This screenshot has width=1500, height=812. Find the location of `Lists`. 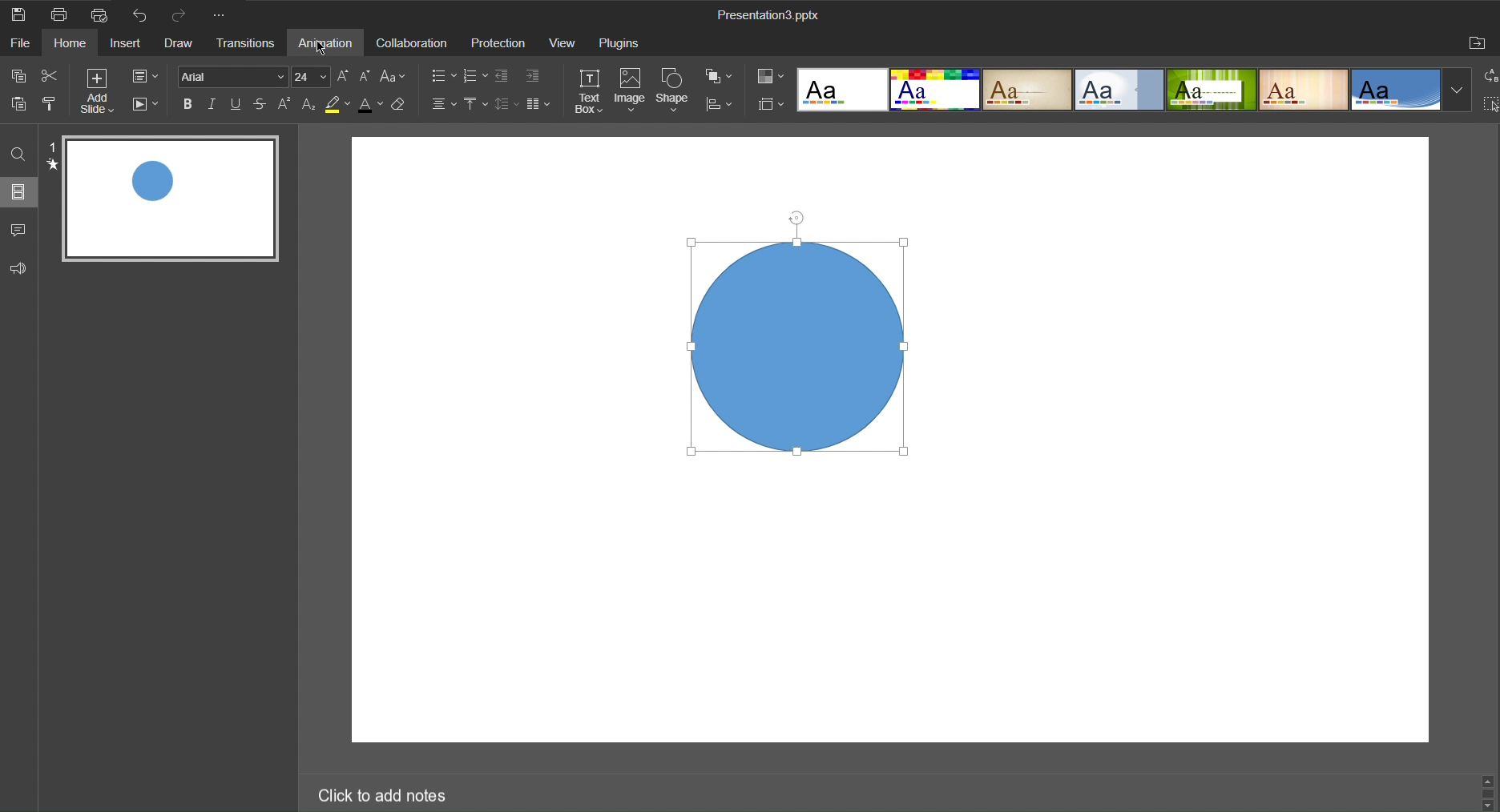

Lists is located at coordinates (476, 74).